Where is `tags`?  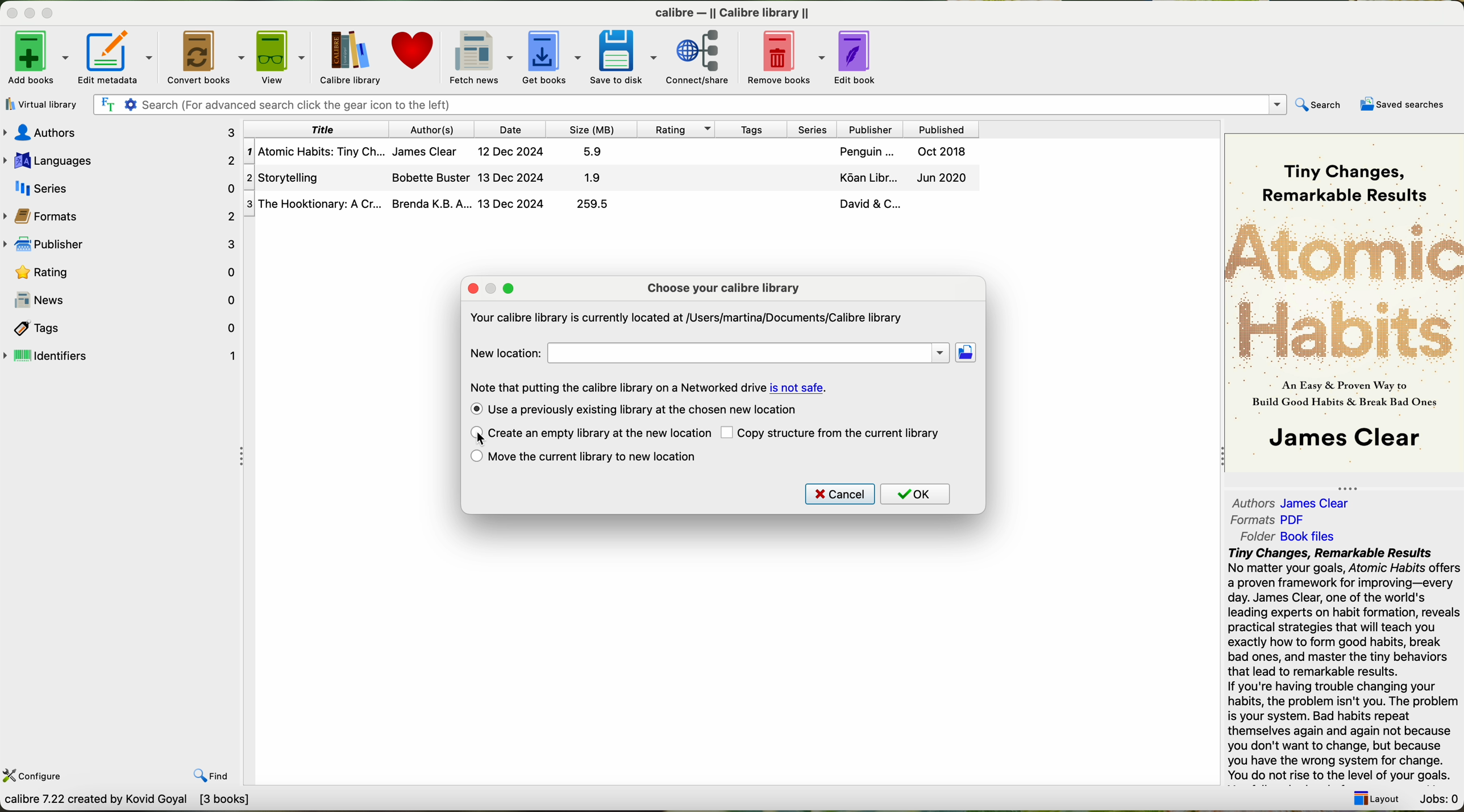
tags is located at coordinates (122, 327).